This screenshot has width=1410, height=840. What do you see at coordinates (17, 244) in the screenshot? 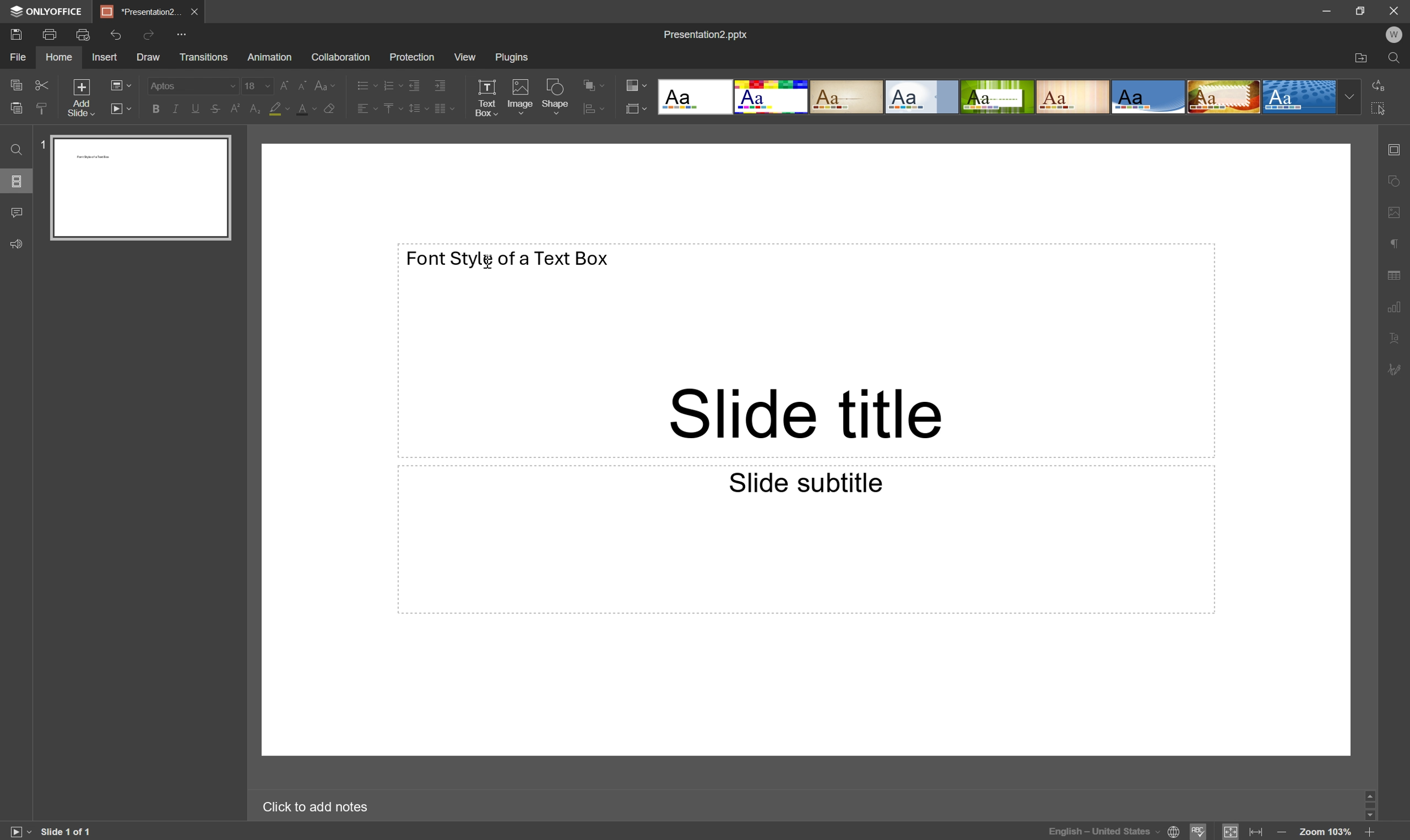
I see `Feedback & Support` at bounding box center [17, 244].